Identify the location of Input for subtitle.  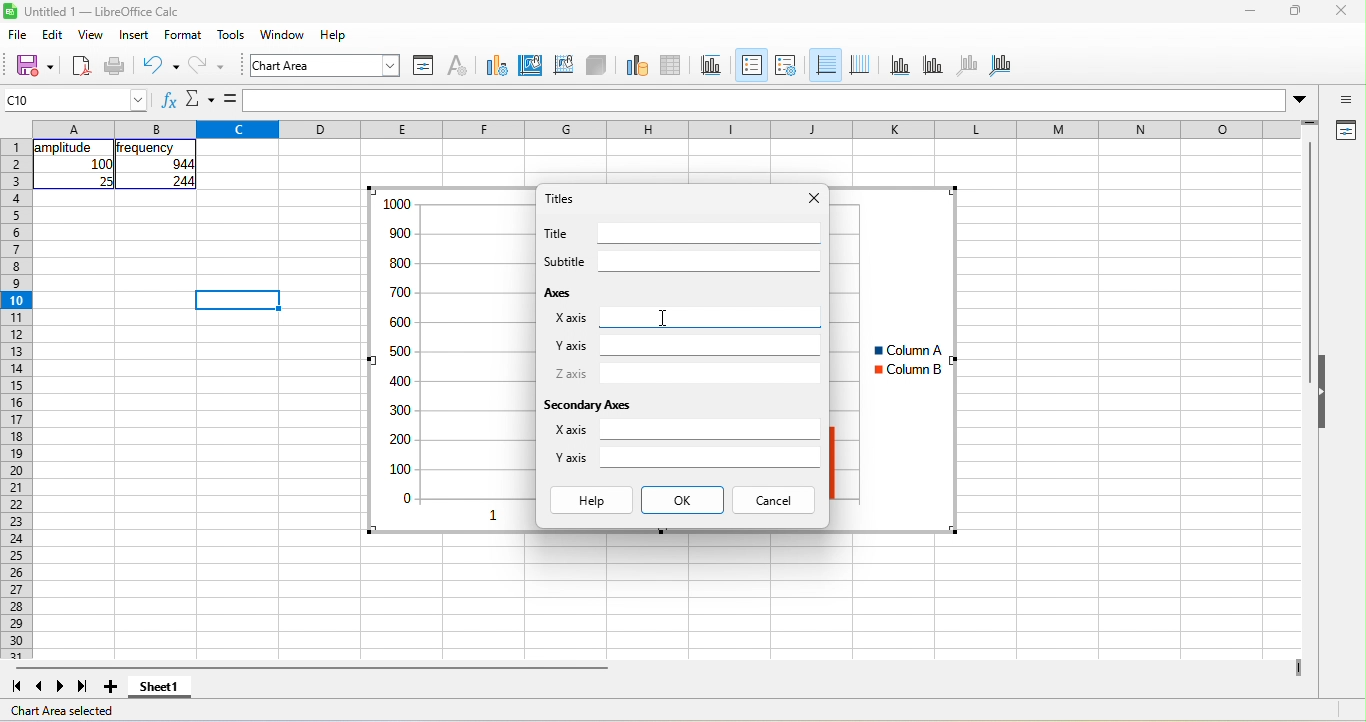
(710, 261).